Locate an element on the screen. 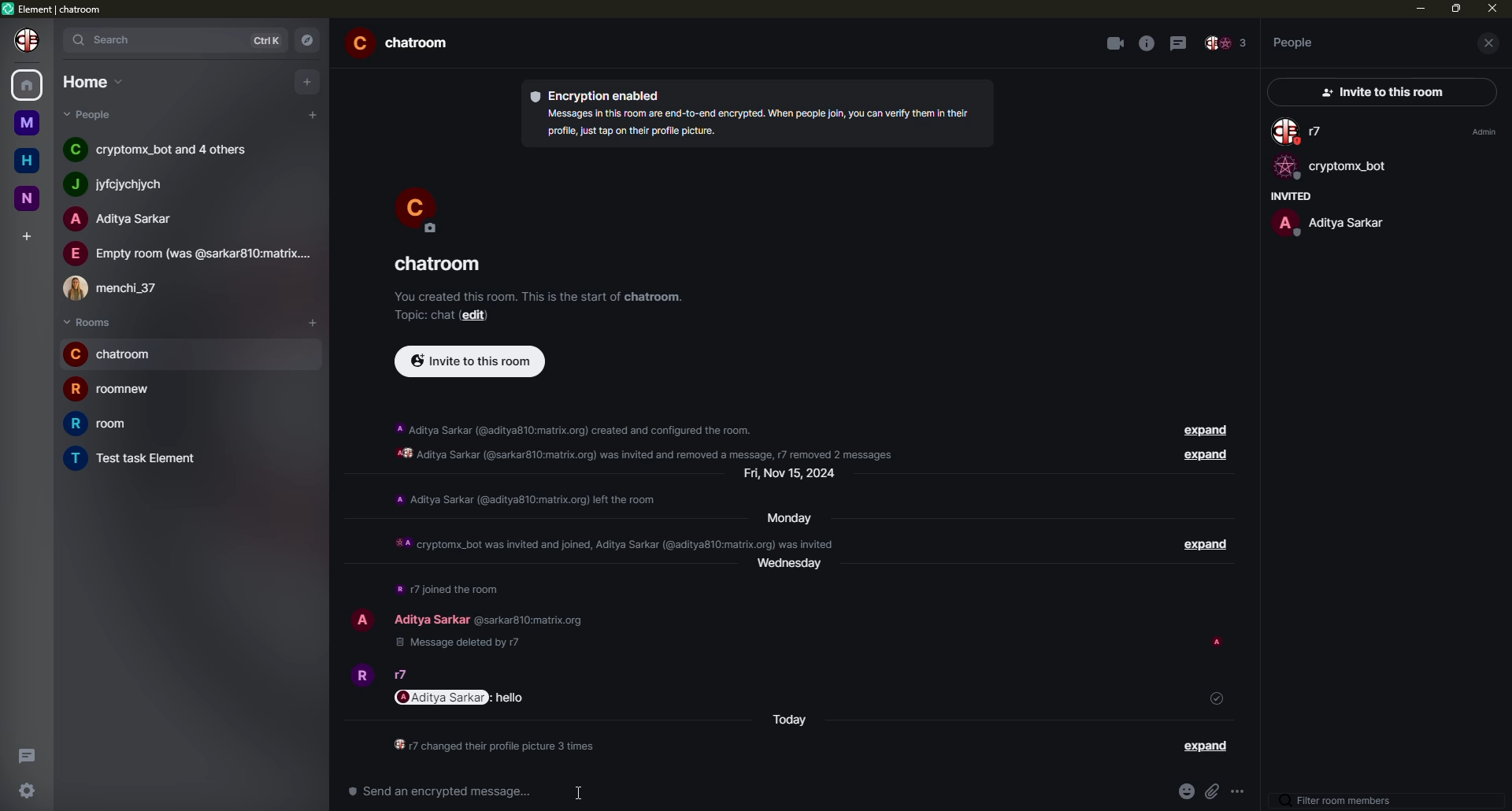  people is located at coordinates (405, 675).